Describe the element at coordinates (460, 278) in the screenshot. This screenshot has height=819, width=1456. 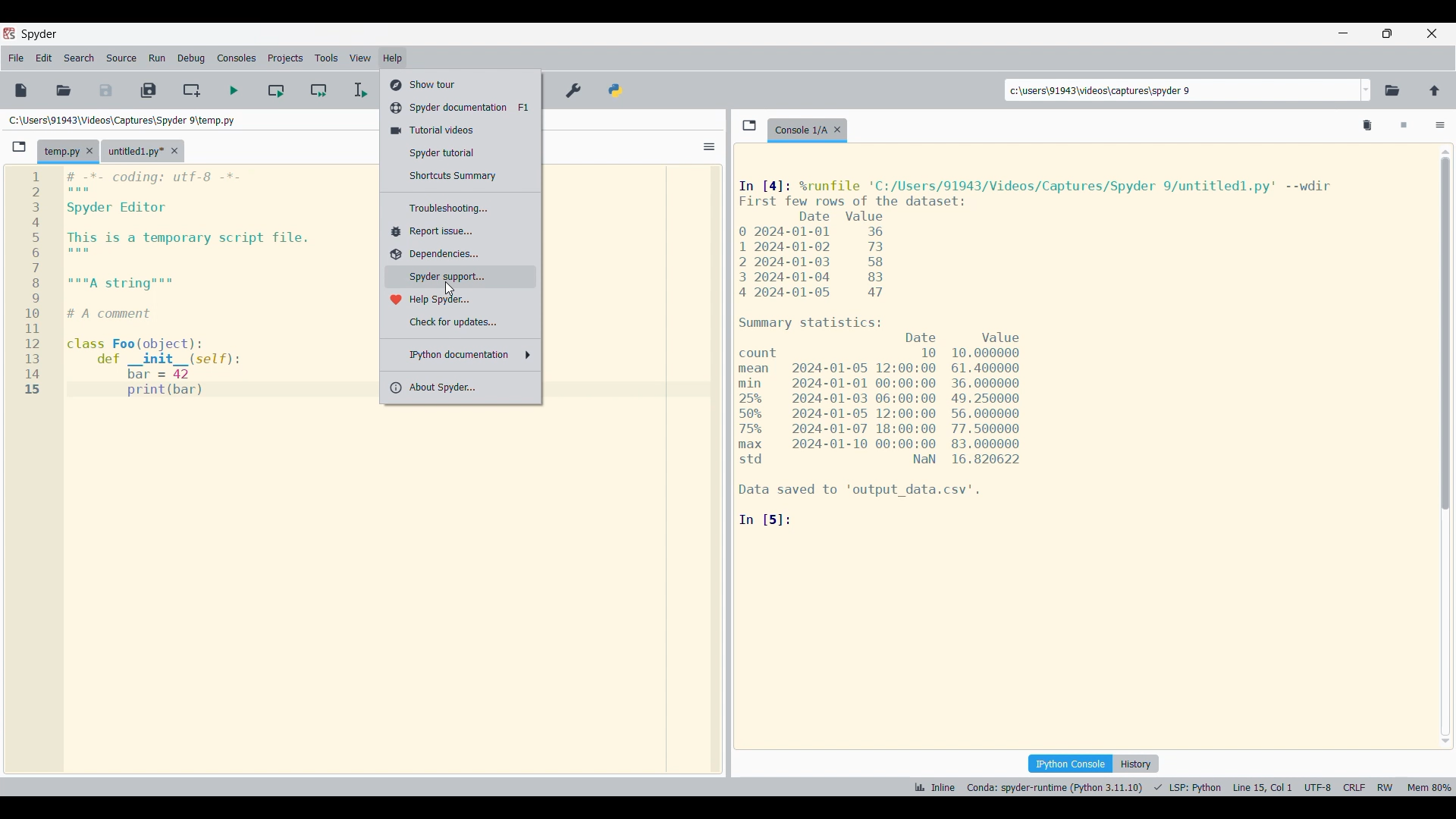
I see `Spyder support, highlighted by cursor` at that location.